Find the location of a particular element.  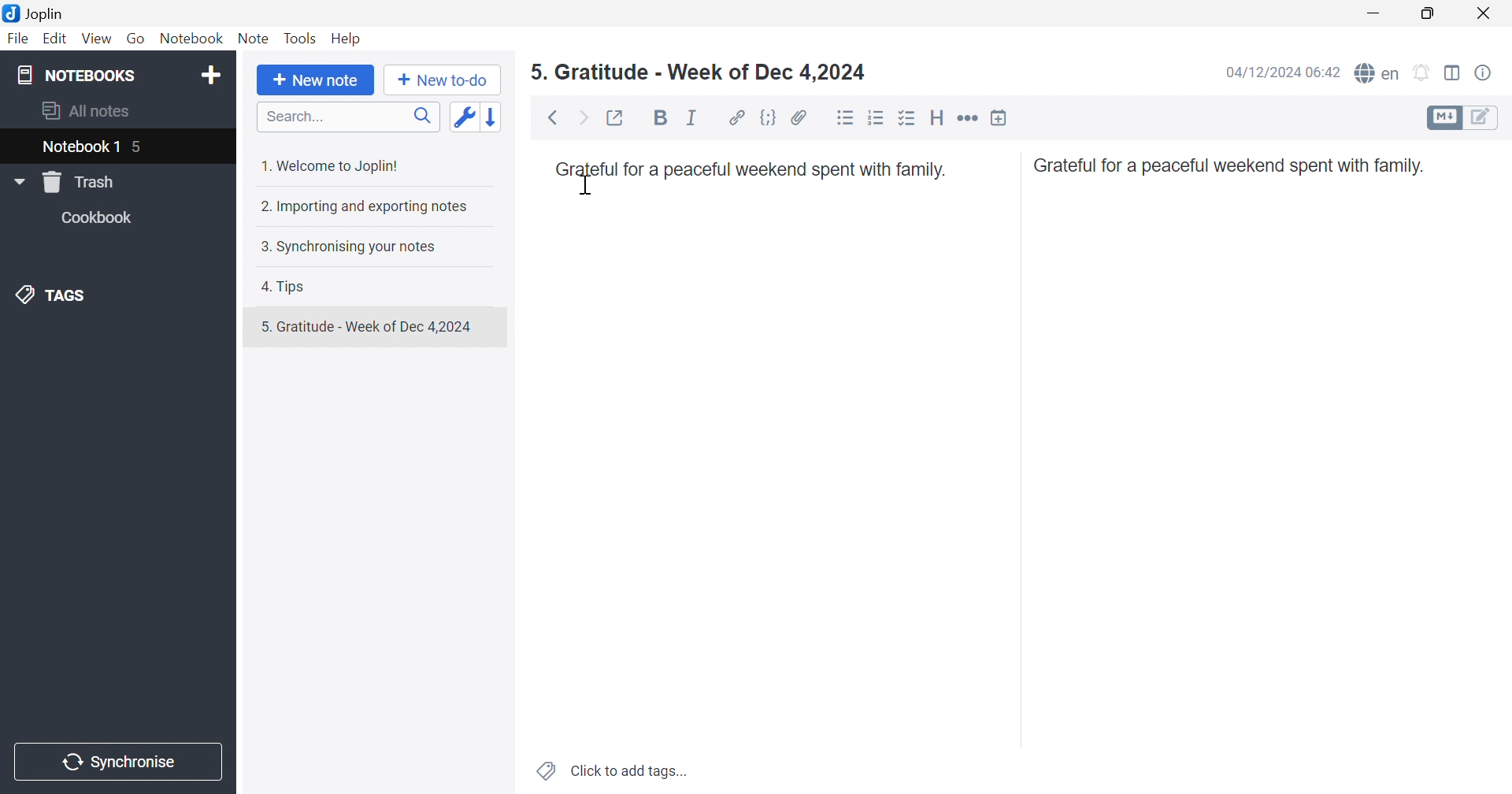

Toggle external editing is located at coordinates (621, 119).